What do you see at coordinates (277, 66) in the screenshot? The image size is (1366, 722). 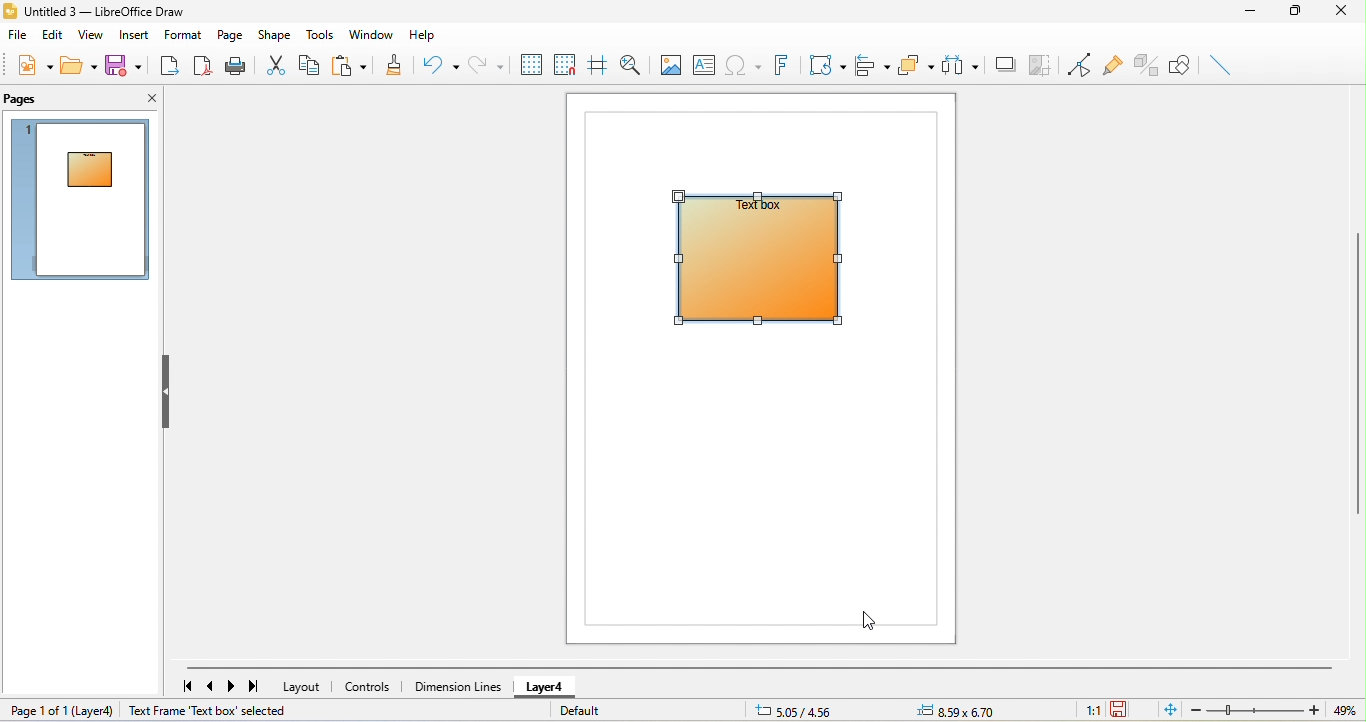 I see `cut` at bounding box center [277, 66].